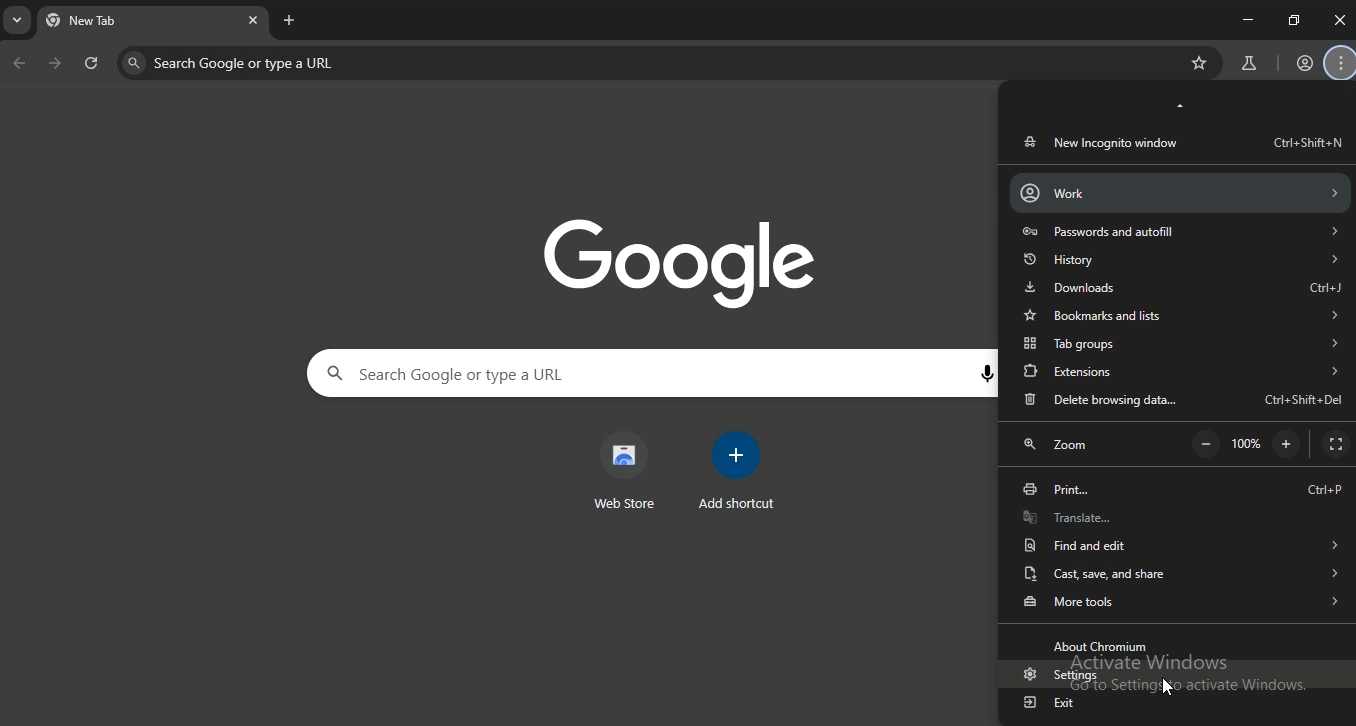  I want to click on zoom out, so click(1206, 445).